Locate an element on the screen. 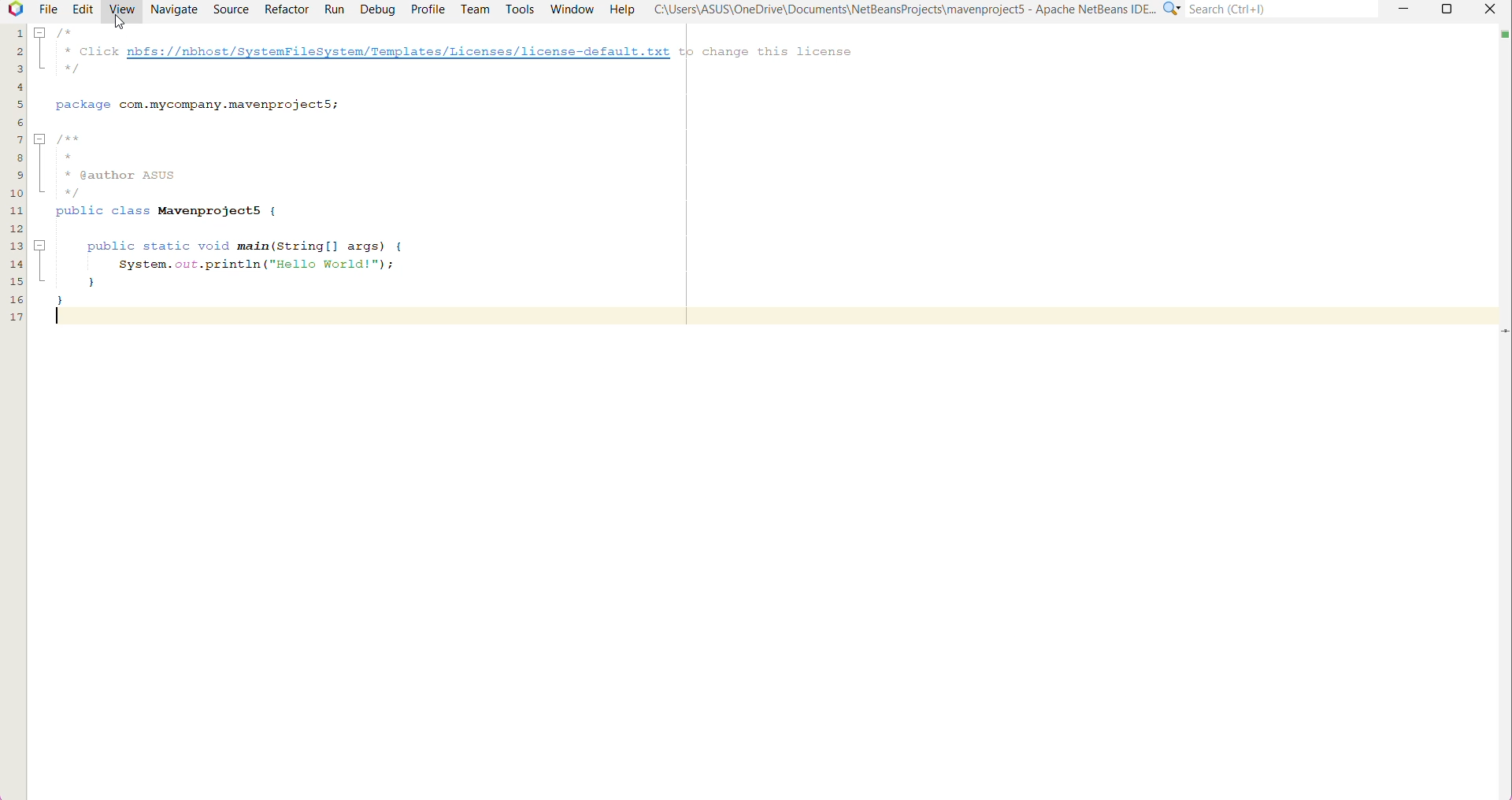 The height and width of the screenshot is (800, 1512). /** Click nbfs://nbhost/SystemFileSystem/Templates/Licenses/license-default.txt tp change this license. */ is located at coordinates (447, 49).